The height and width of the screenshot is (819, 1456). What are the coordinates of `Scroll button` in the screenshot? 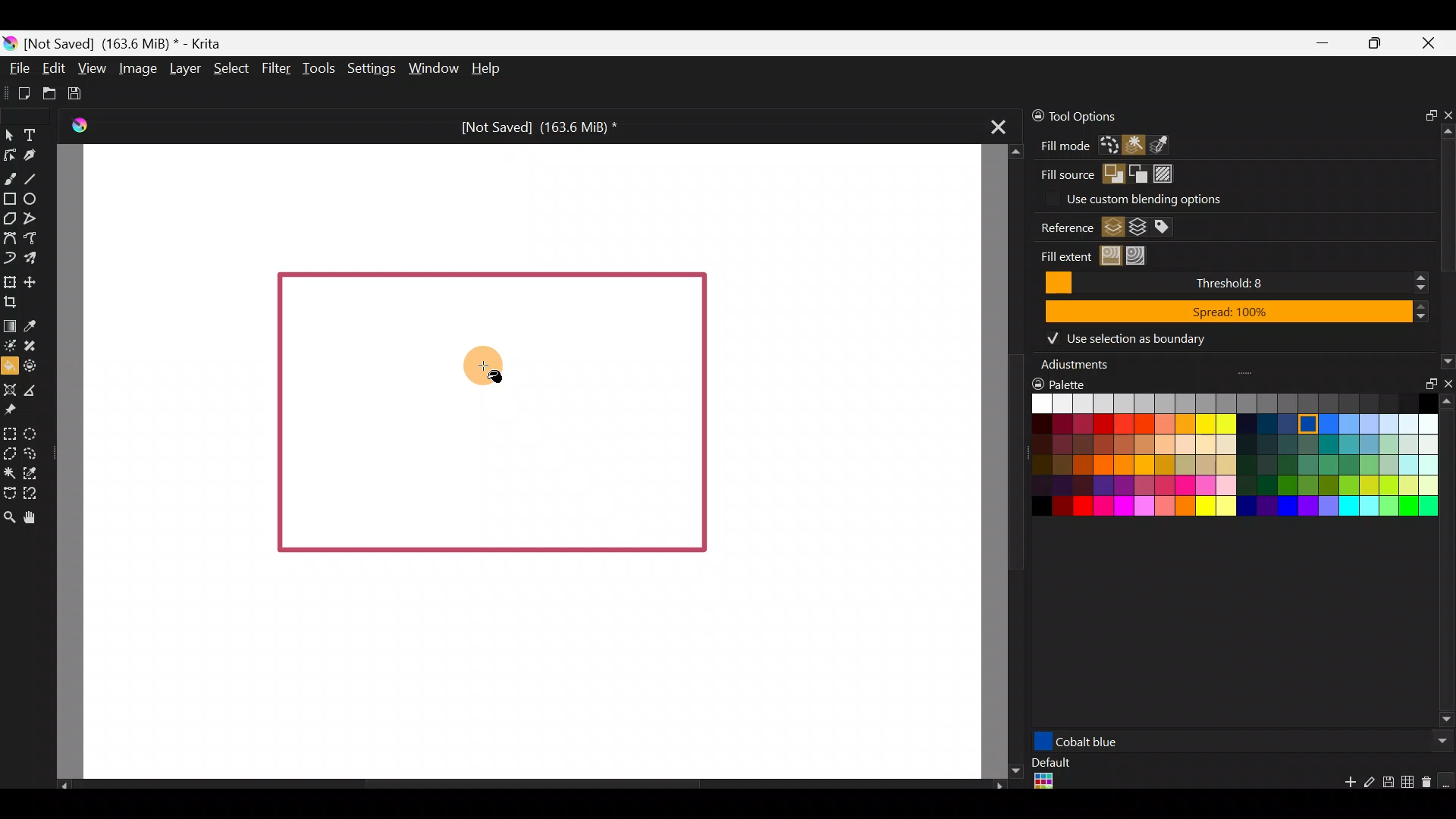 It's located at (1439, 741).